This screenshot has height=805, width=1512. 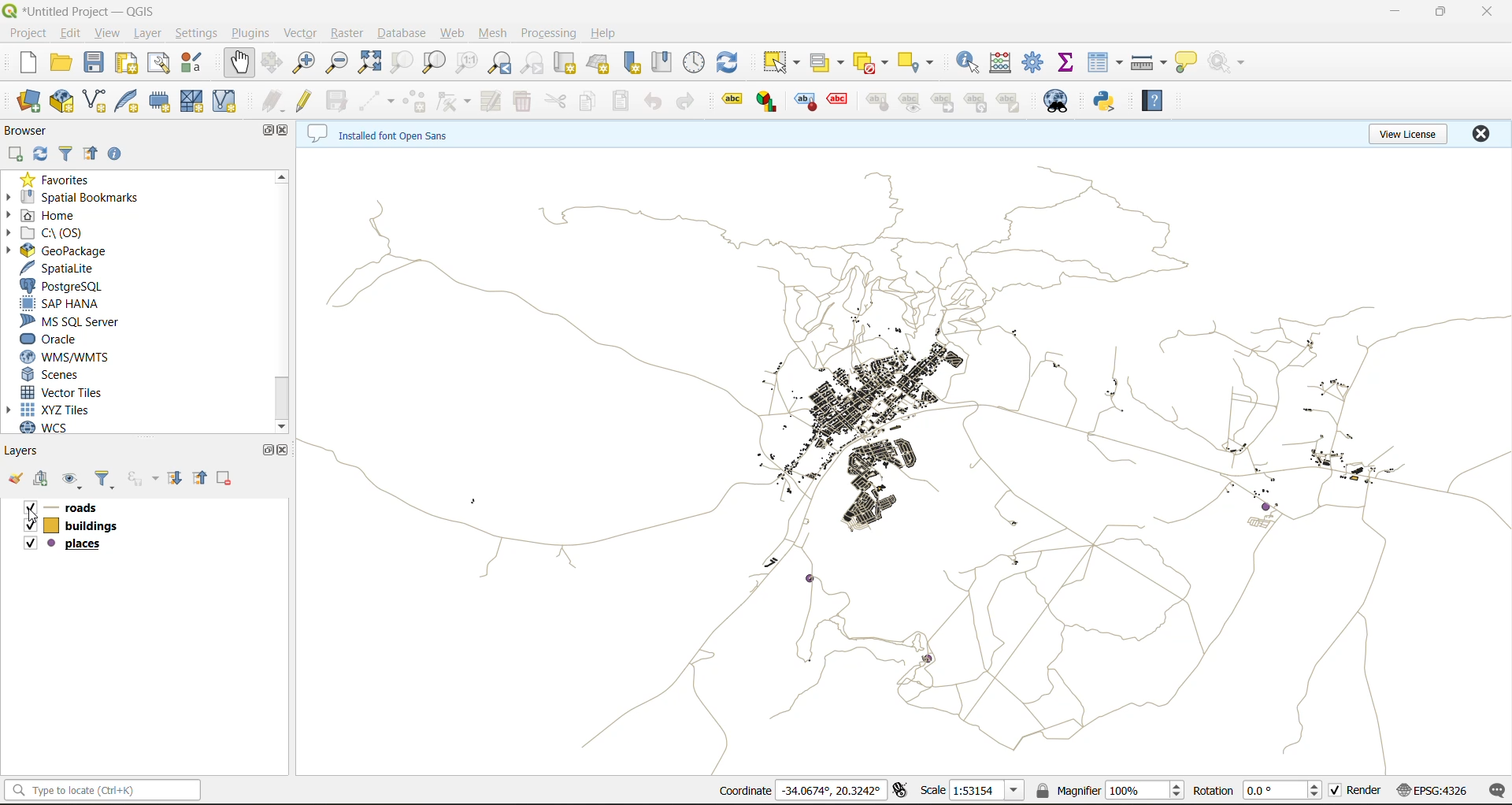 I want to click on close, so click(x=1484, y=134).